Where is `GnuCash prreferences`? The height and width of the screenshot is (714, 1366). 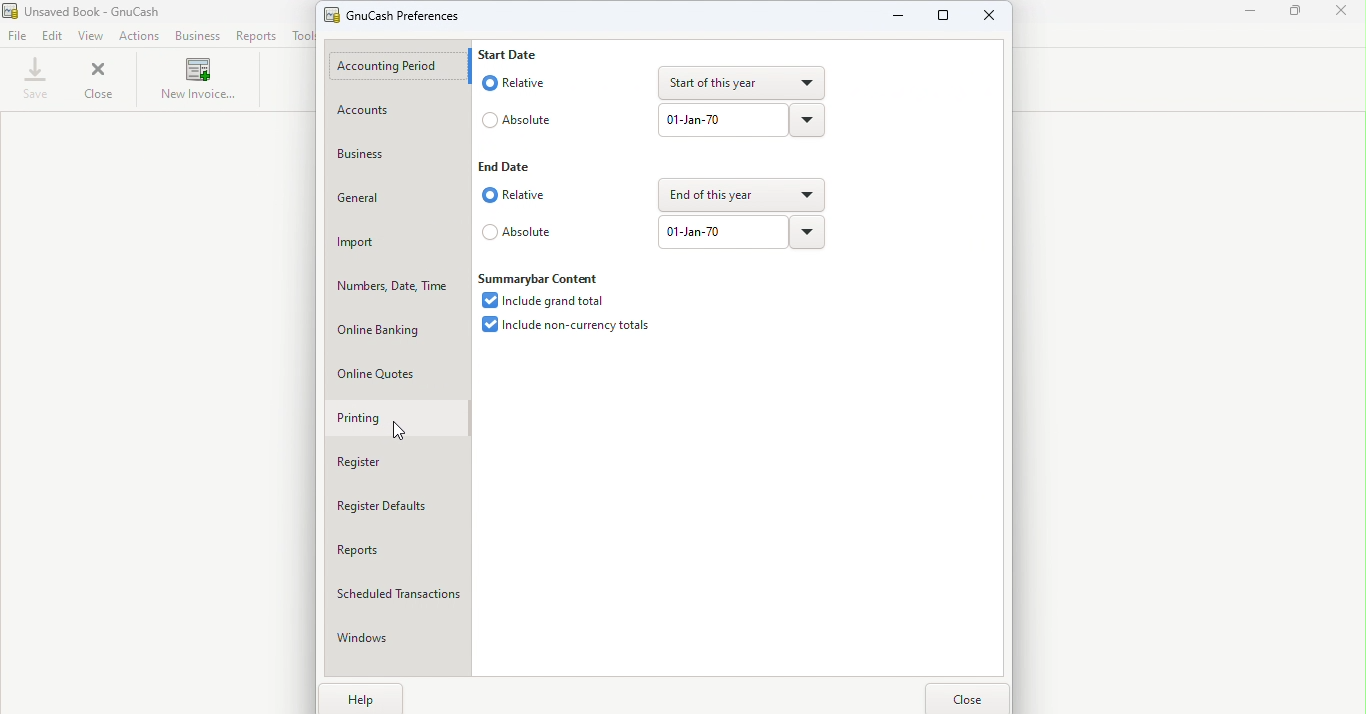
GnuCash prreferences is located at coordinates (405, 15).